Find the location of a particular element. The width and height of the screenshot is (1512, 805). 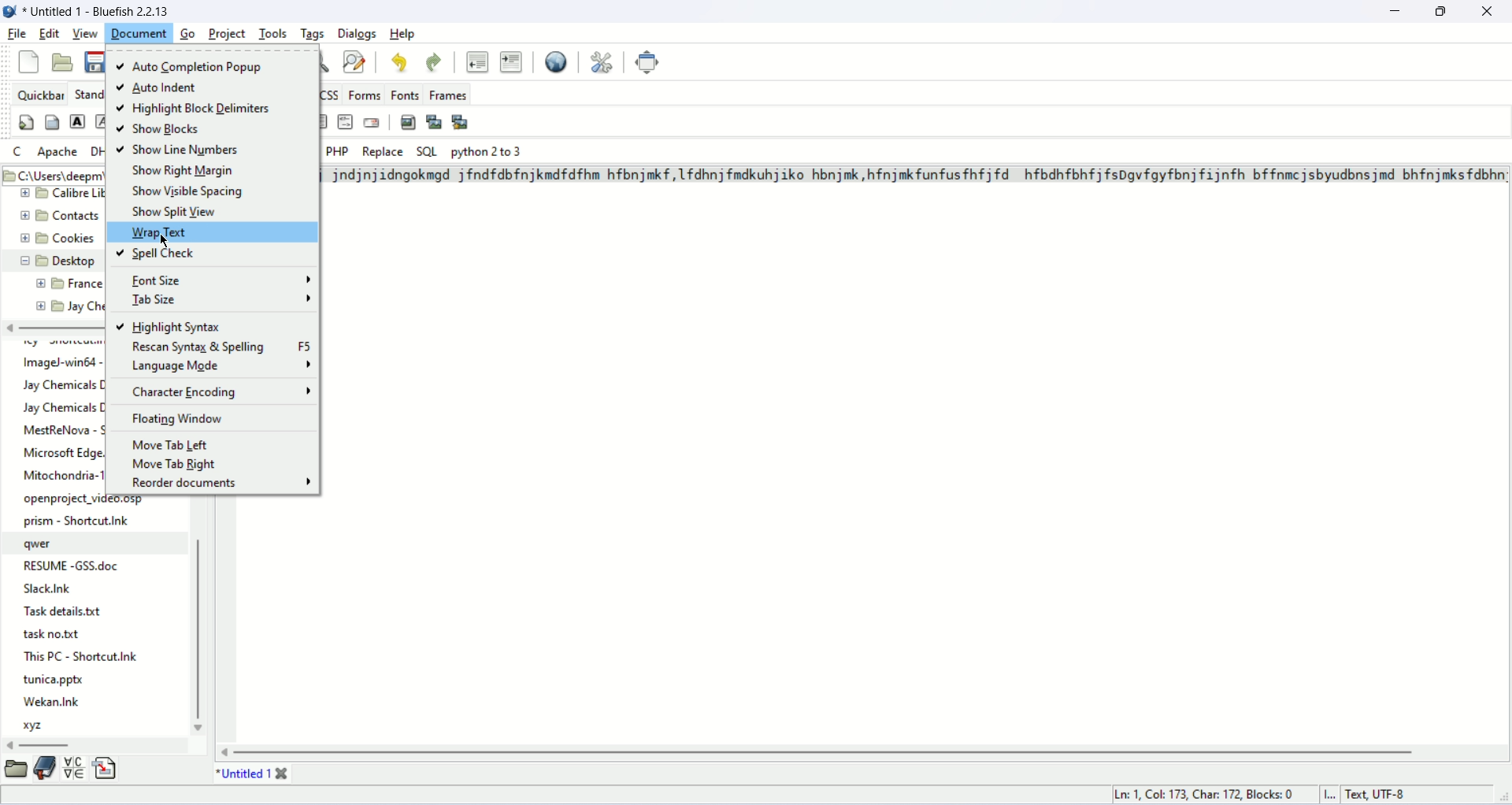

floating window is located at coordinates (181, 421).